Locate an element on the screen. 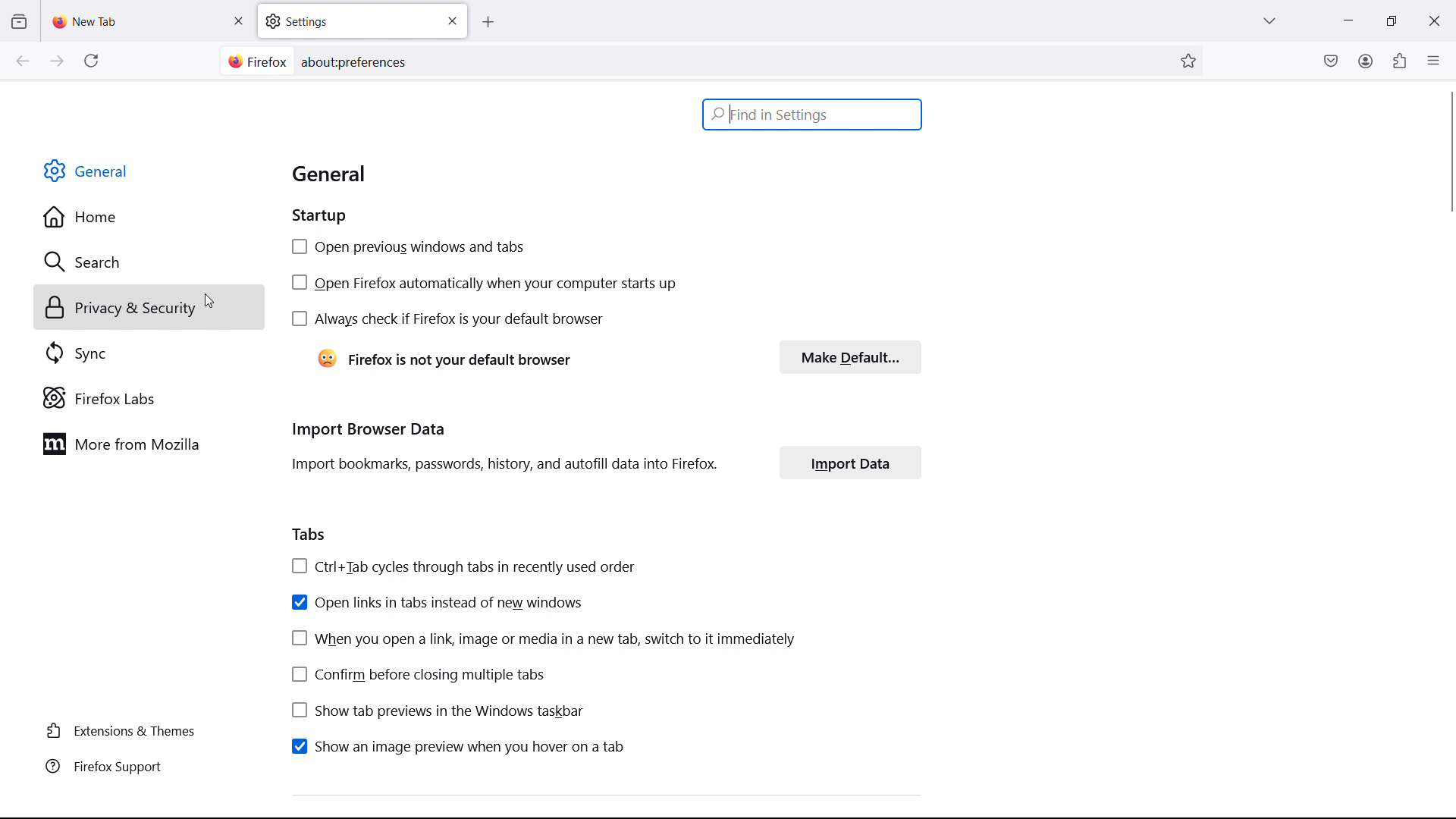 The image size is (1456, 819). minimize is located at coordinates (1347, 19).